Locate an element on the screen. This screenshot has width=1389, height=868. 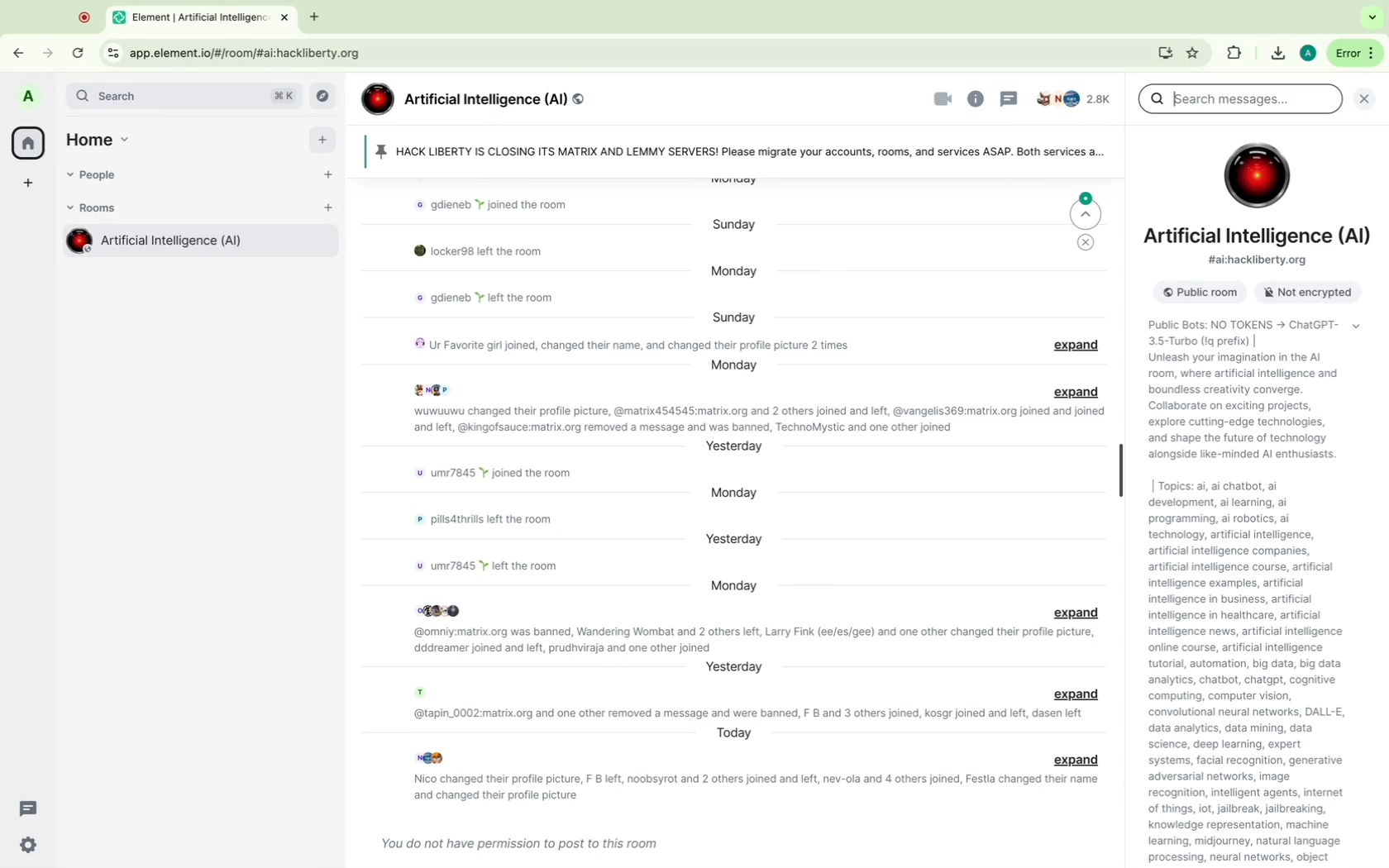
url is located at coordinates (251, 53).